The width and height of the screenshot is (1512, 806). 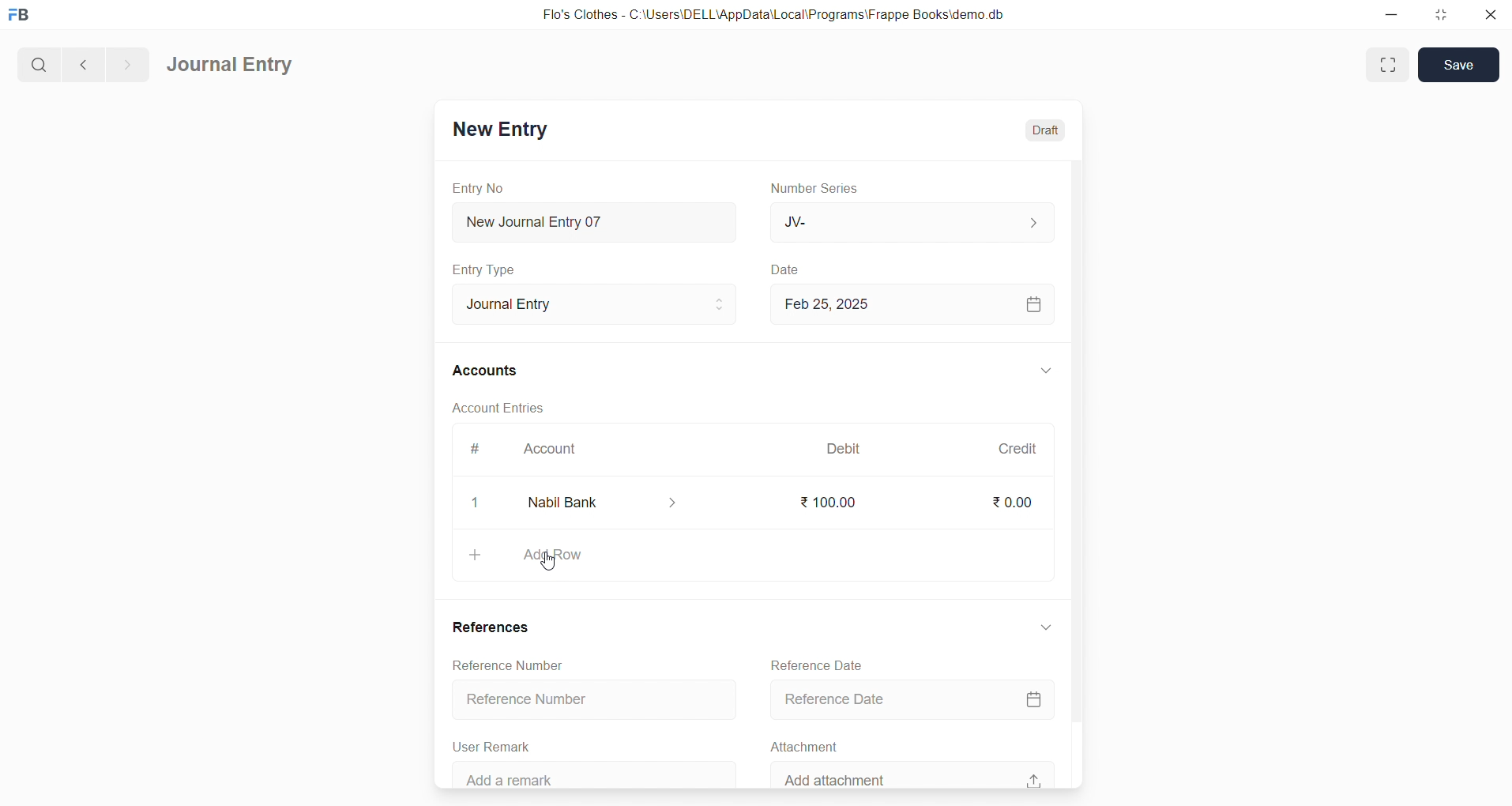 What do you see at coordinates (1017, 448) in the screenshot?
I see `Credit` at bounding box center [1017, 448].